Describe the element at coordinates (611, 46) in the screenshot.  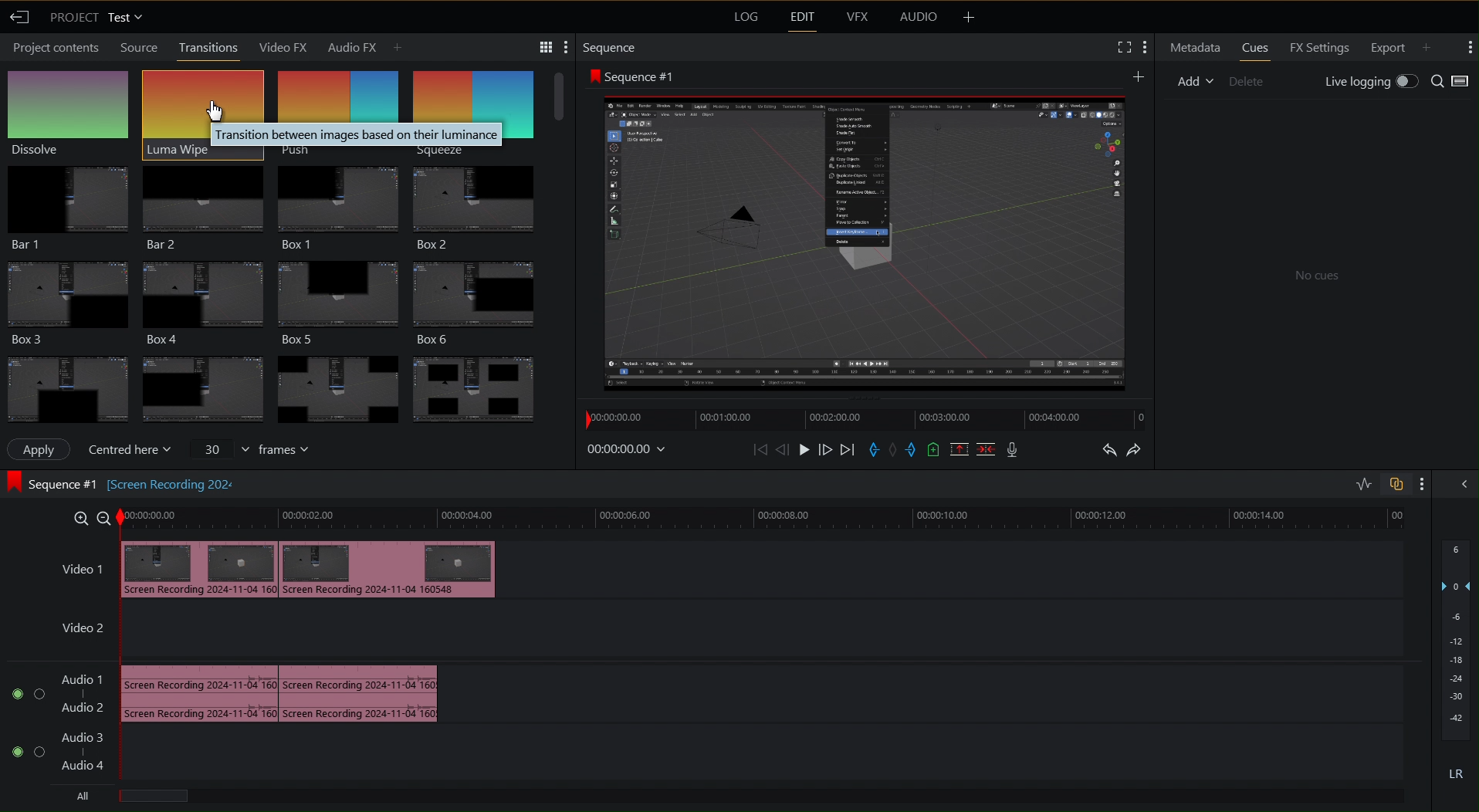
I see `Sequence` at that location.